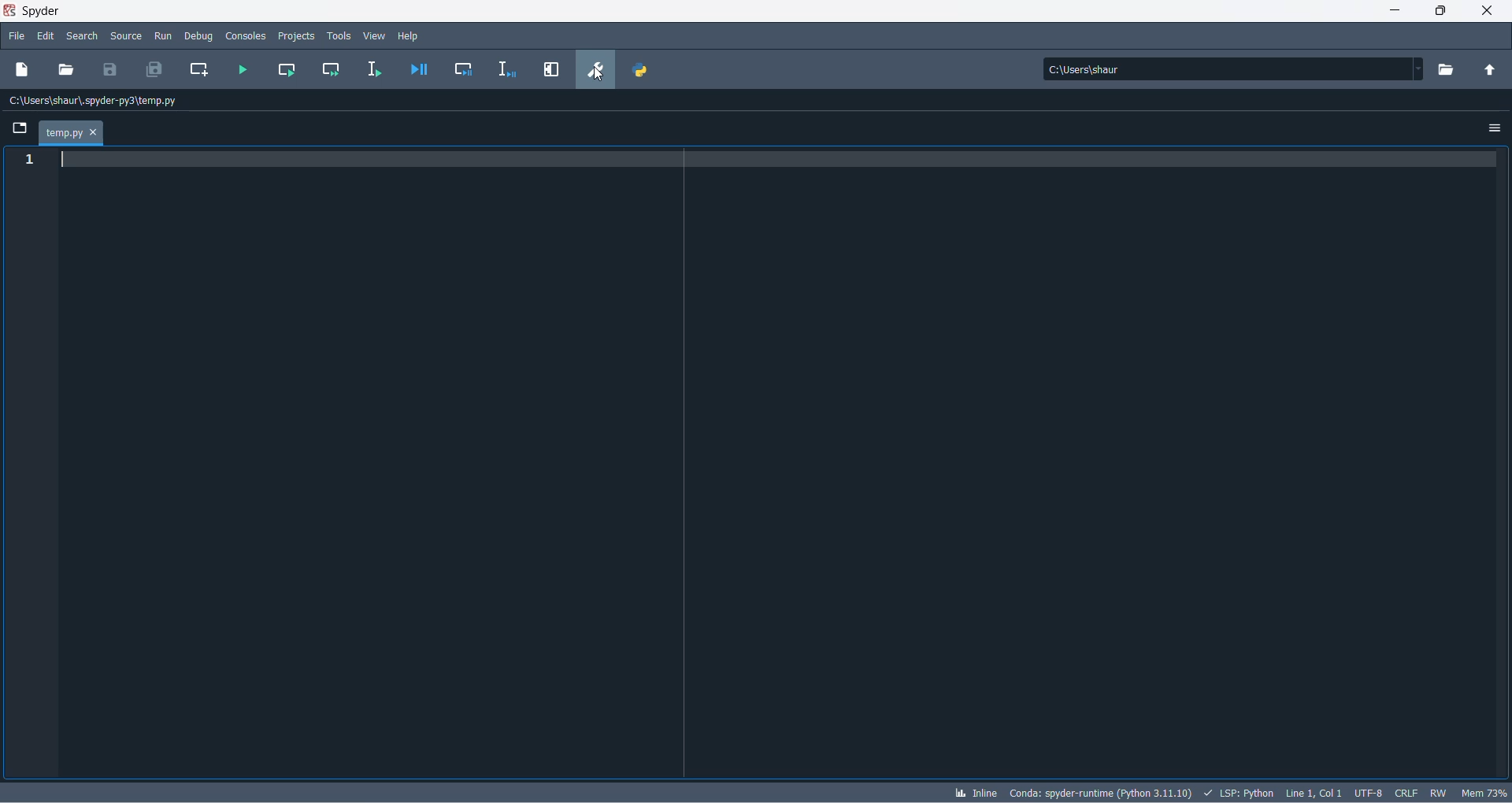  I want to click on cursor, so click(595, 75).